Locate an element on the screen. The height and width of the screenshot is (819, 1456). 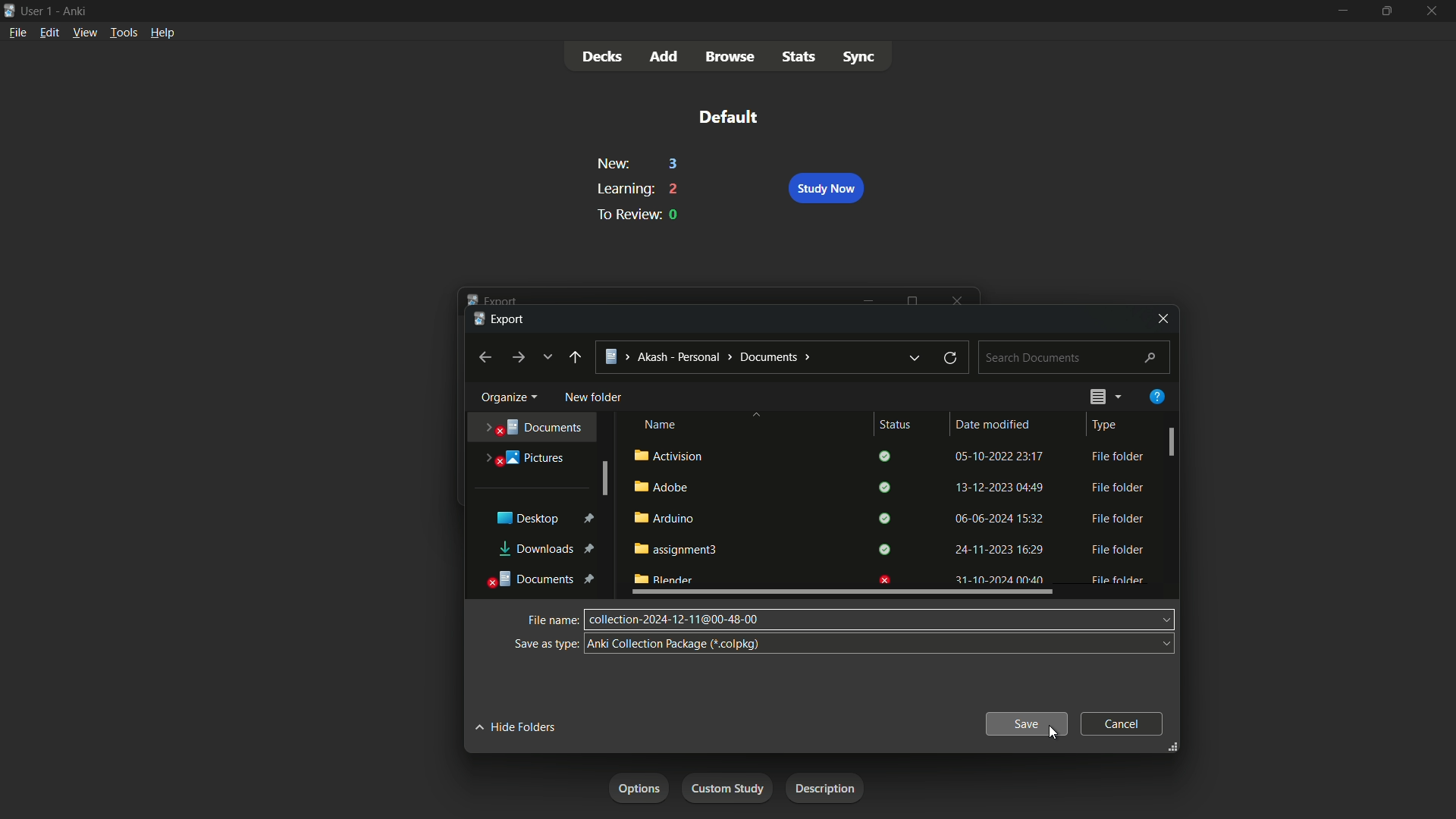
save is located at coordinates (1028, 723).